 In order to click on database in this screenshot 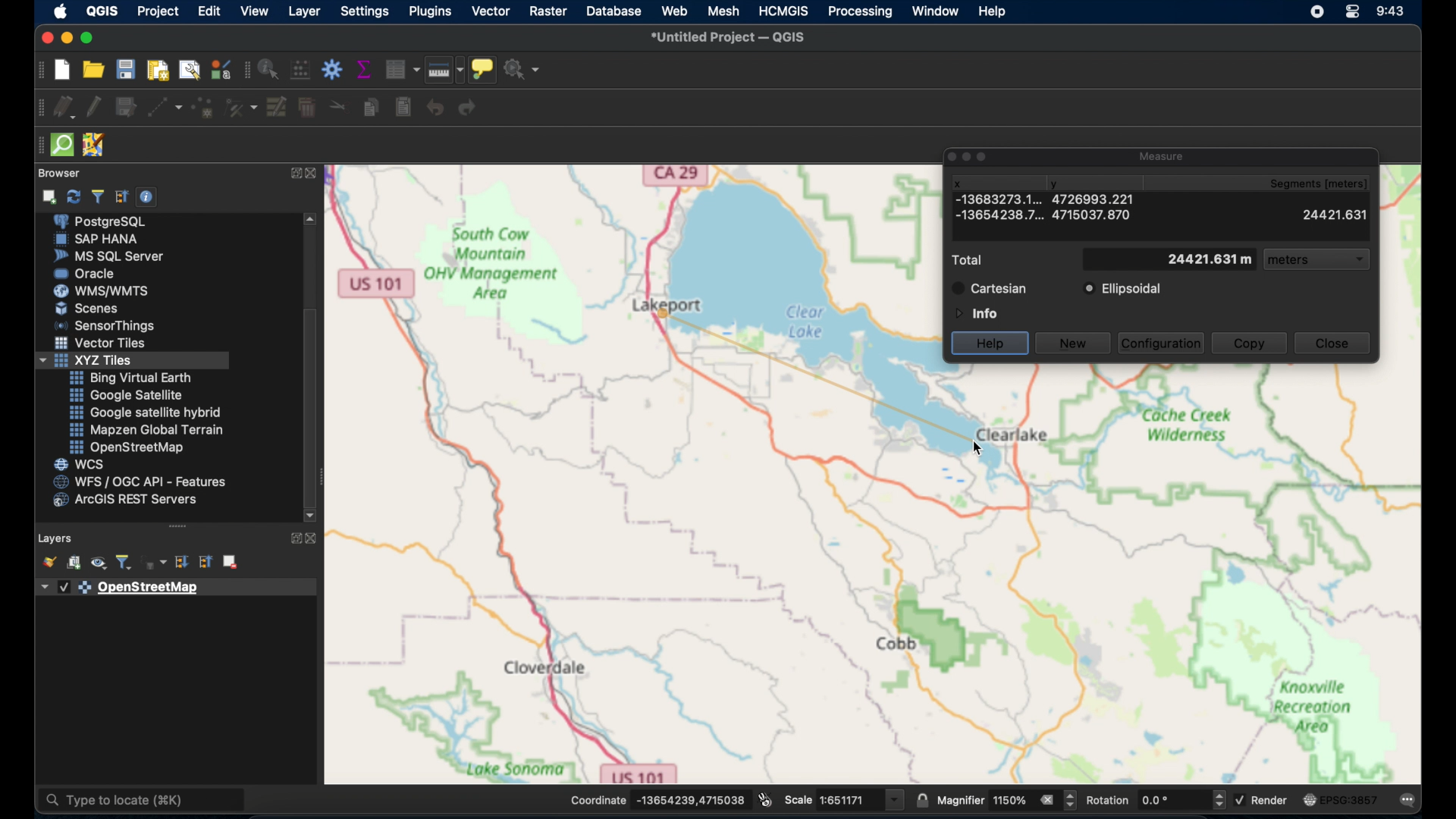, I will do `click(616, 11)`.